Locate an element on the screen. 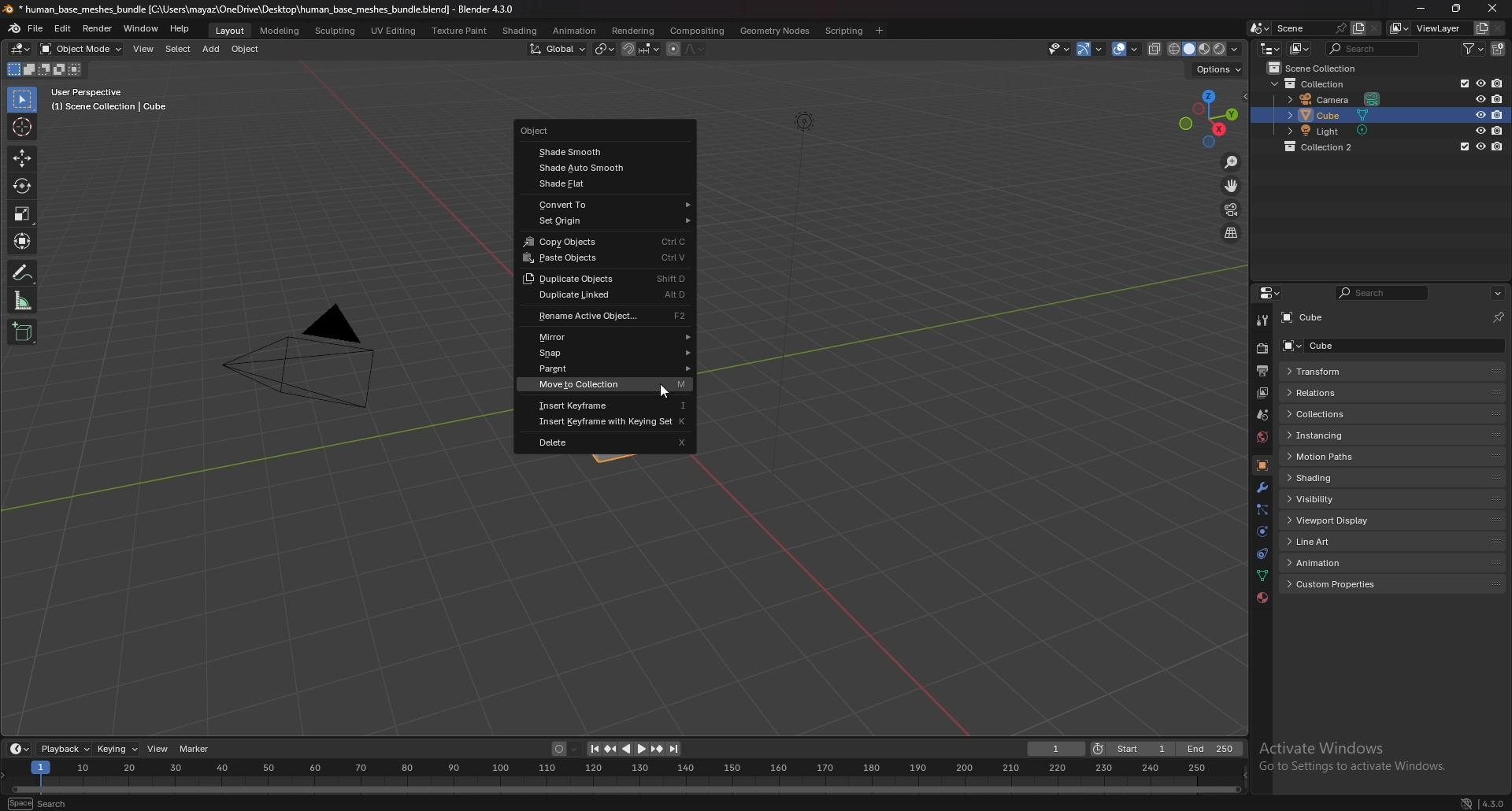 The width and height of the screenshot is (1512, 811). object is located at coordinates (1262, 466).